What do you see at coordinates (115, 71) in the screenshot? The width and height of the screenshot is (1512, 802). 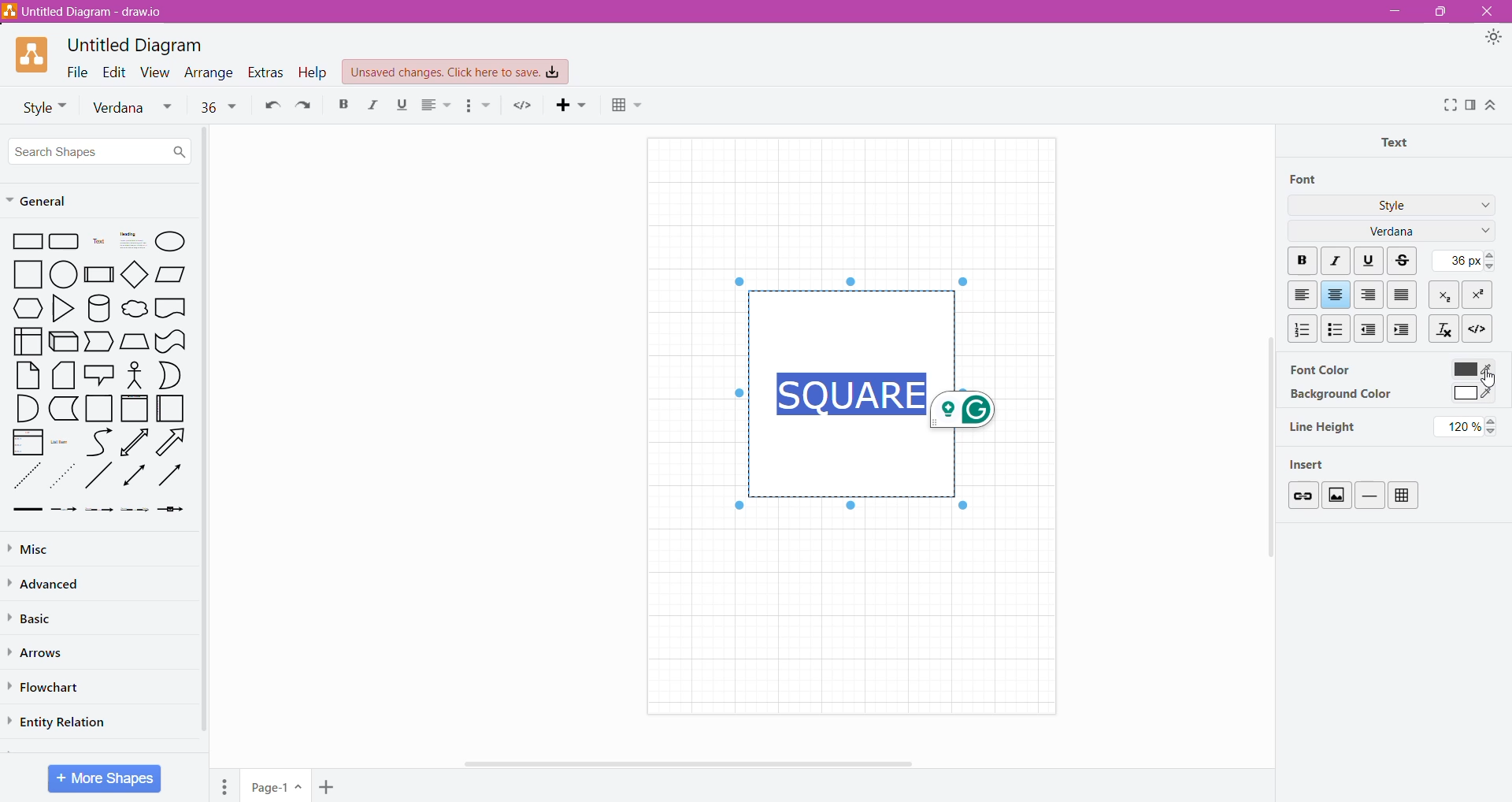 I see `Edit` at bounding box center [115, 71].